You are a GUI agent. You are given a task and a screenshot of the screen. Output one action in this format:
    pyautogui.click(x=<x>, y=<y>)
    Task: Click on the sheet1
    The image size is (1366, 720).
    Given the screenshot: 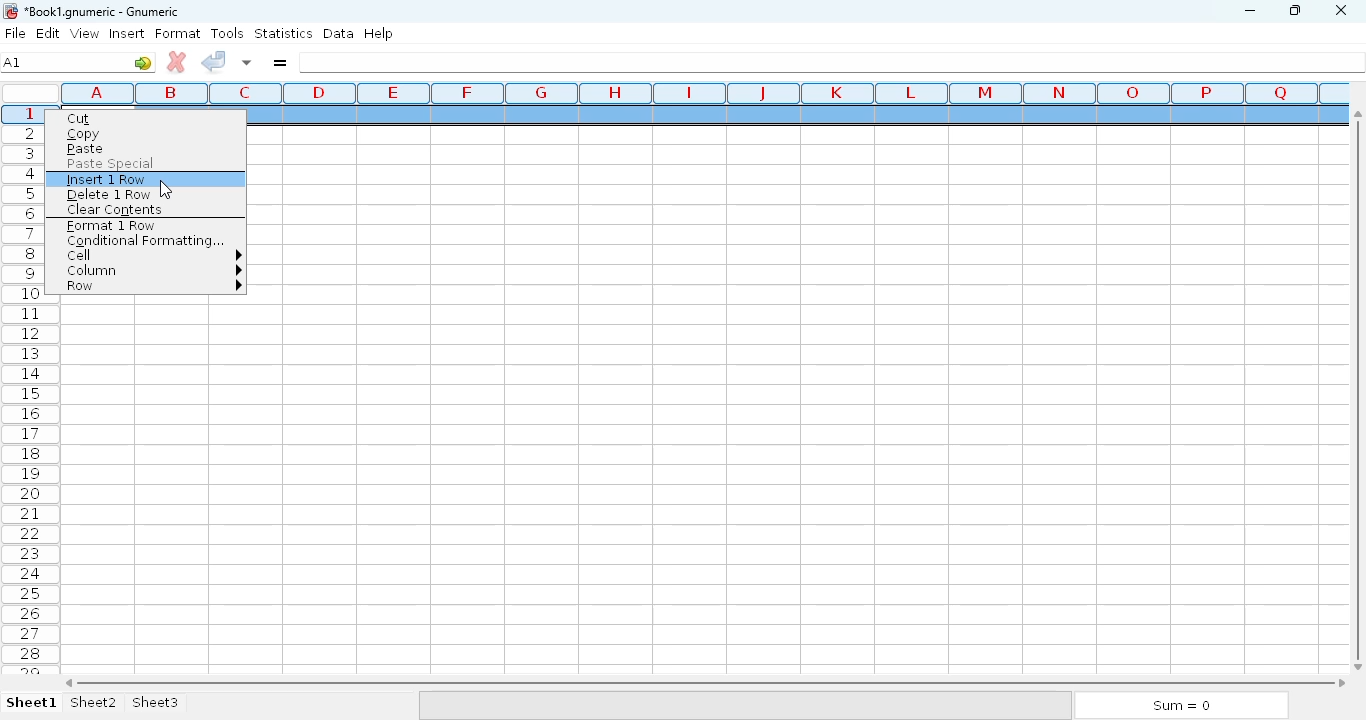 What is the action you would take?
    pyautogui.click(x=32, y=703)
    